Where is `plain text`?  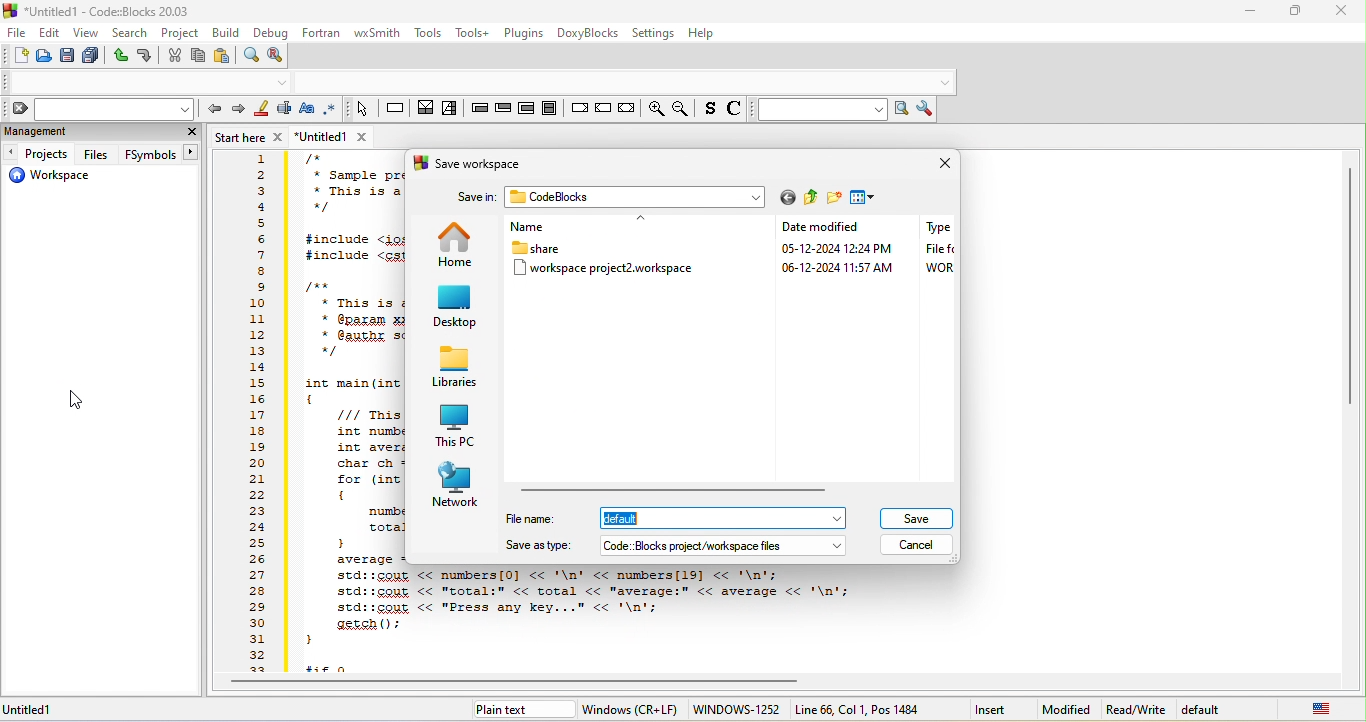 plain text is located at coordinates (506, 712).